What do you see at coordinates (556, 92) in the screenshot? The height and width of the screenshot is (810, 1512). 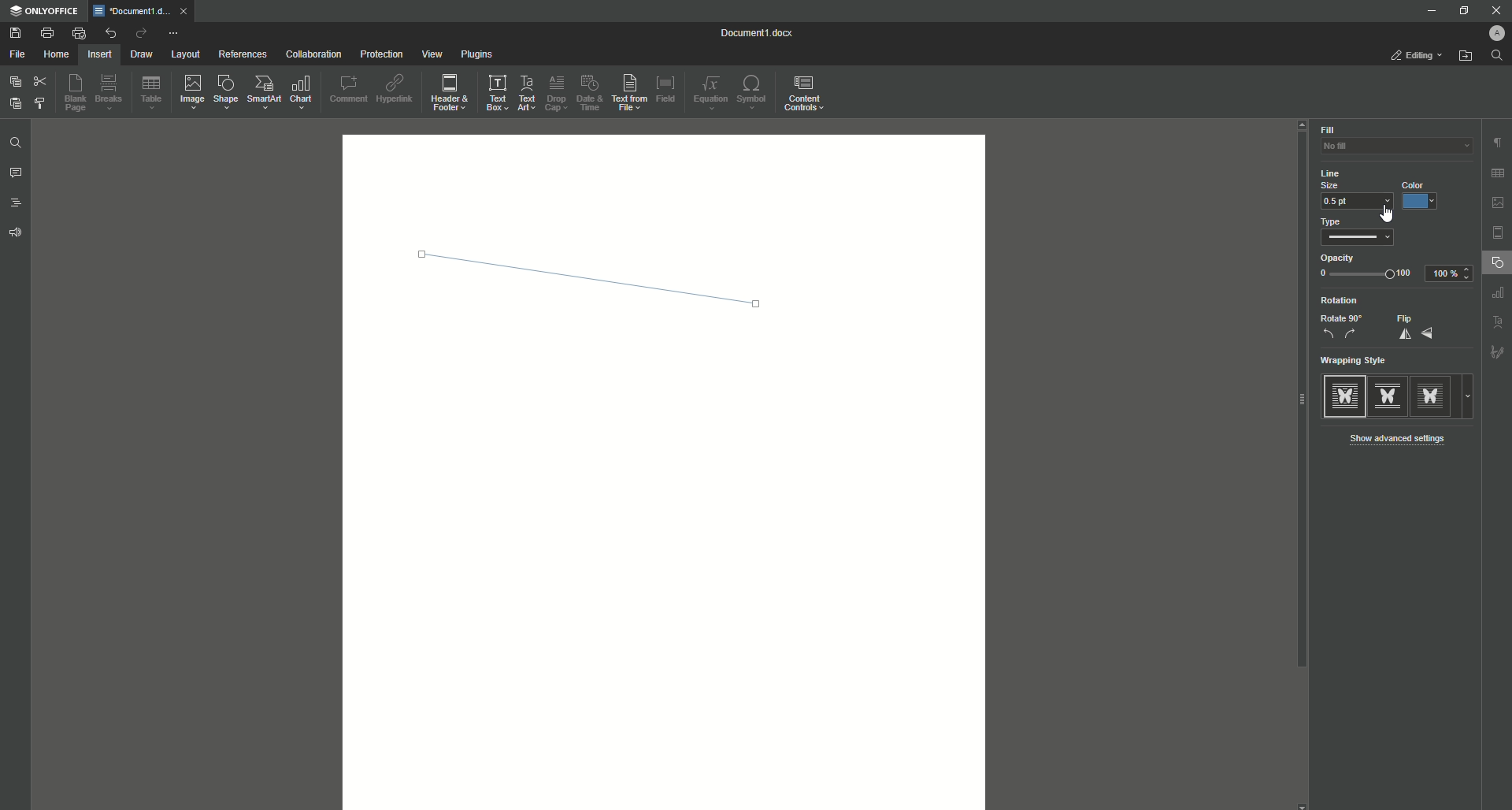 I see `Drop Cap` at bounding box center [556, 92].